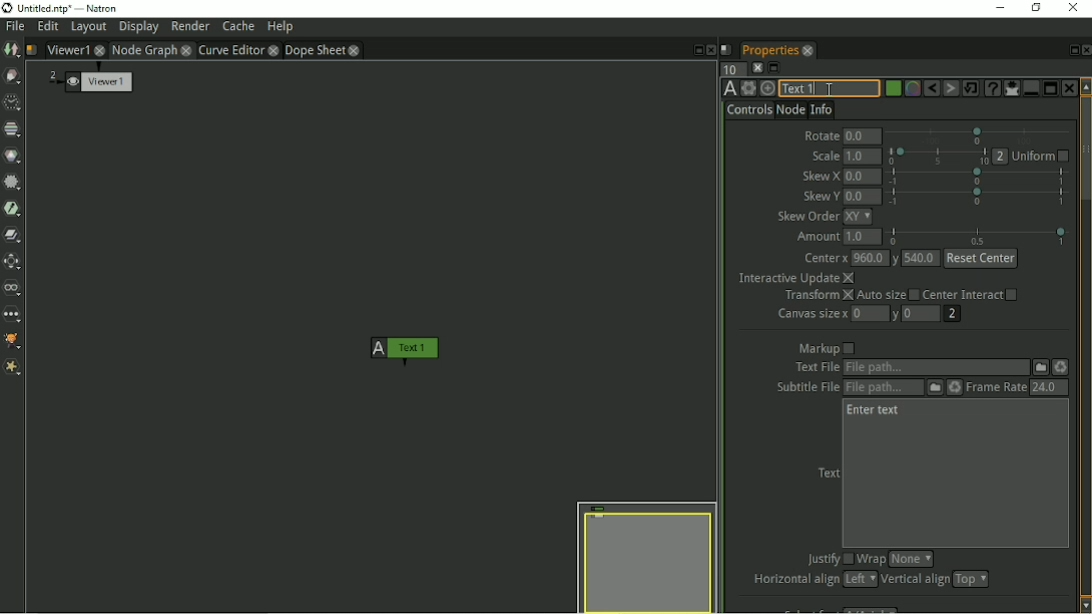 Image resolution: width=1092 pixels, height=614 pixels. Describe the element at coordinates (769, 88) in the screenshot. I see `Centers the node graph on this item` at that location.